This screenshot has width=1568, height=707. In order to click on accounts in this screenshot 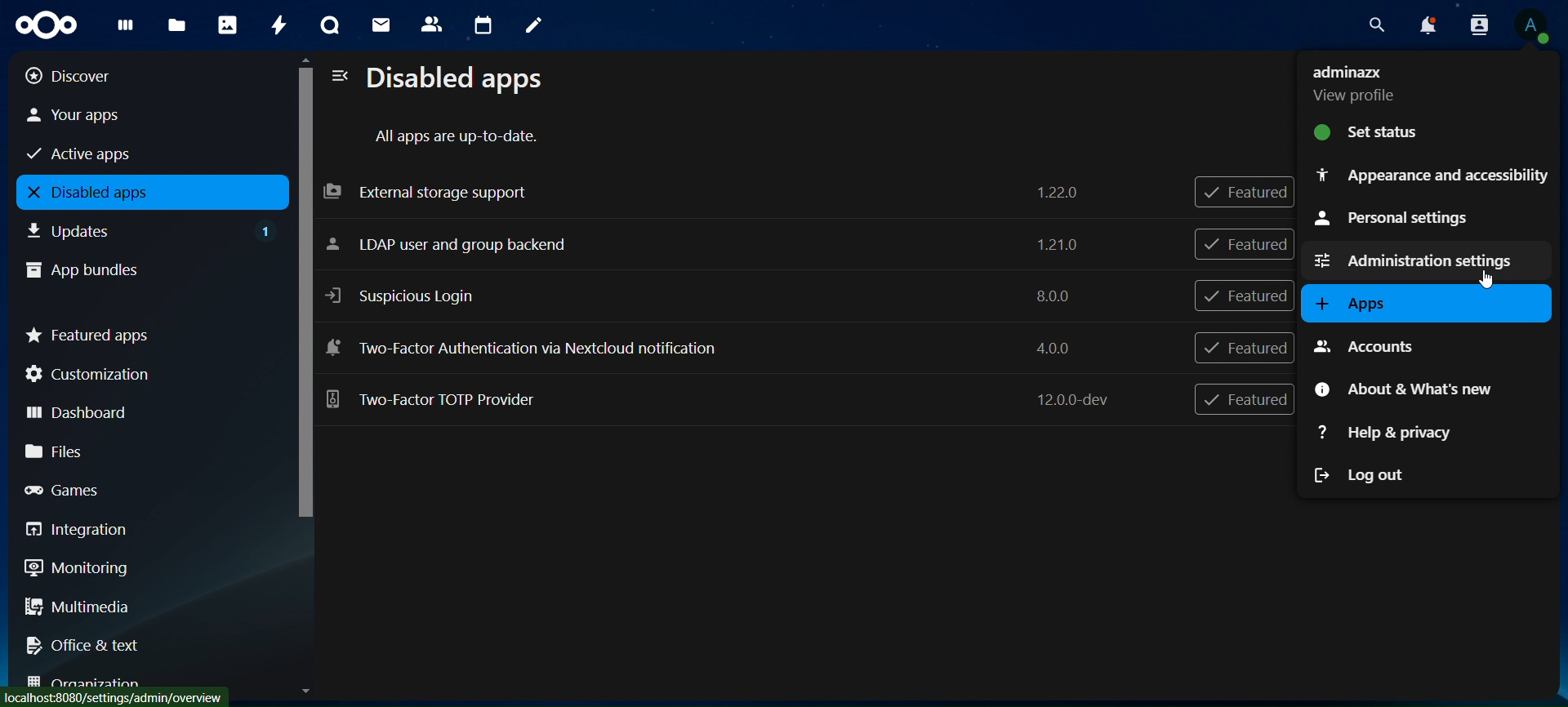, I will do `click(1383, 345)`.